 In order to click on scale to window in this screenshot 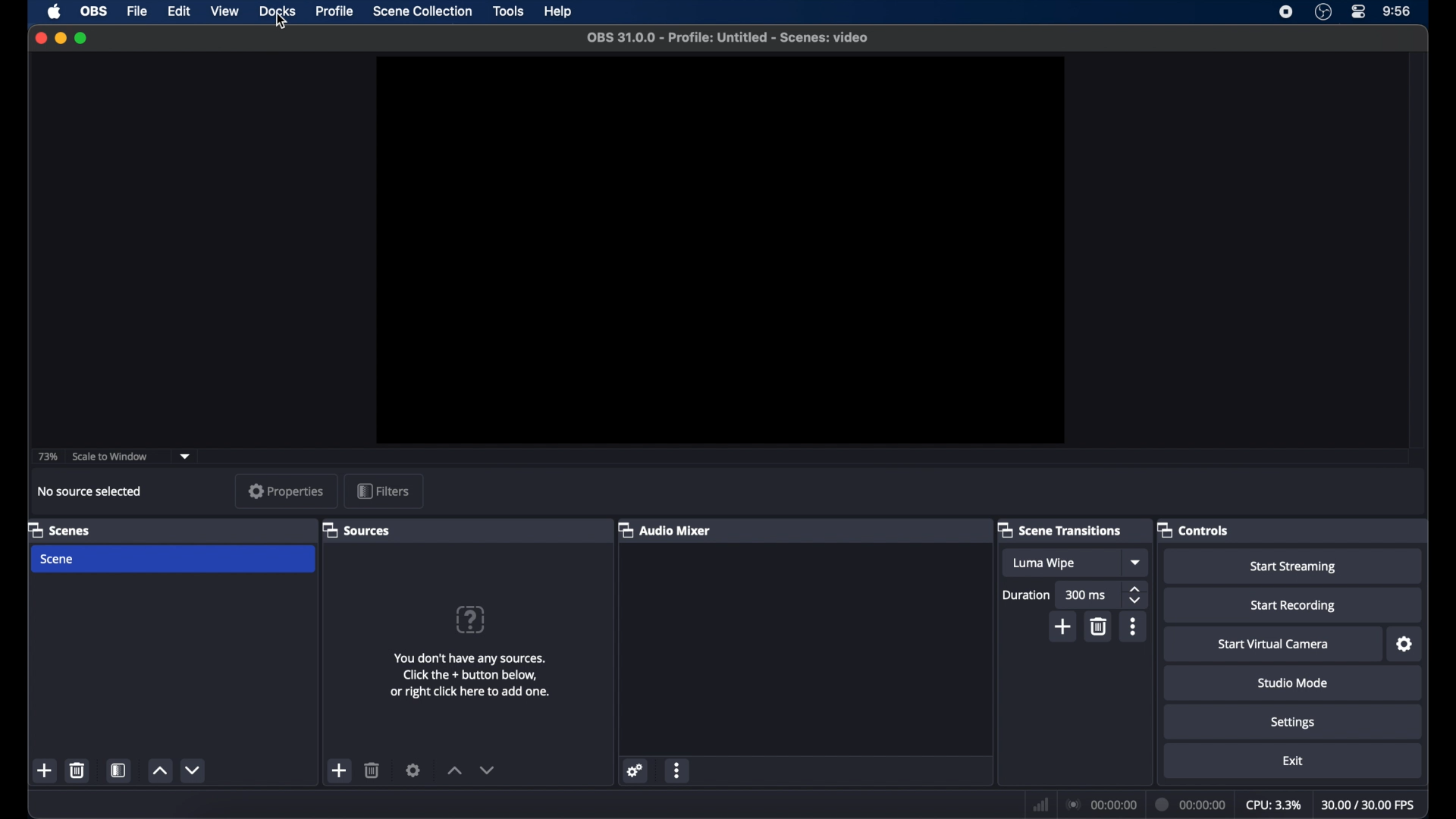, I will do `click(111, 456)`.